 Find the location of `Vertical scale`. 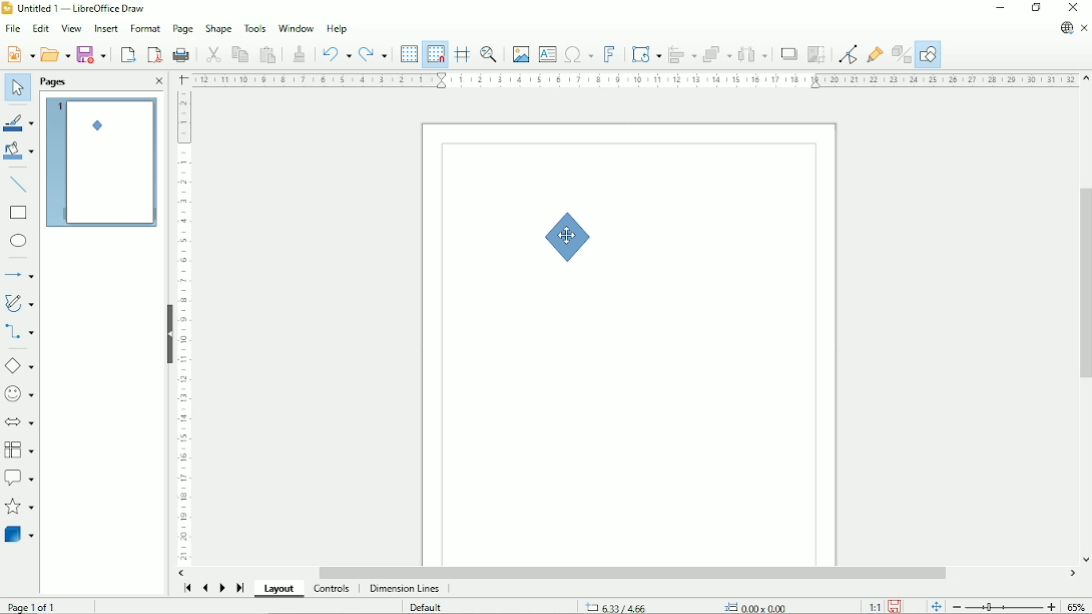

Vertical scale is located at coordinates (184, 326).